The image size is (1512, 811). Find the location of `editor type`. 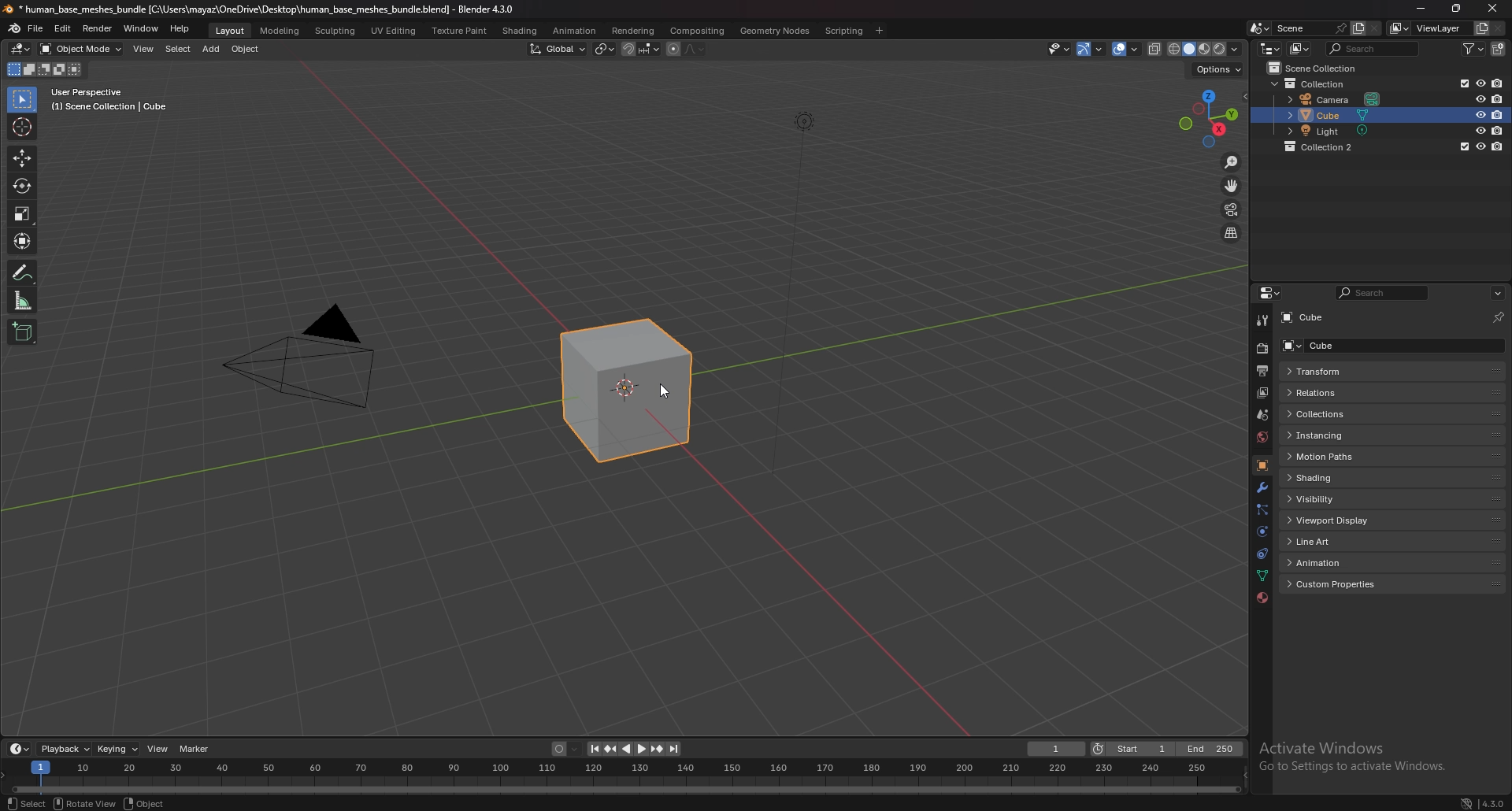

editor type is located at coordinates (22, 48).